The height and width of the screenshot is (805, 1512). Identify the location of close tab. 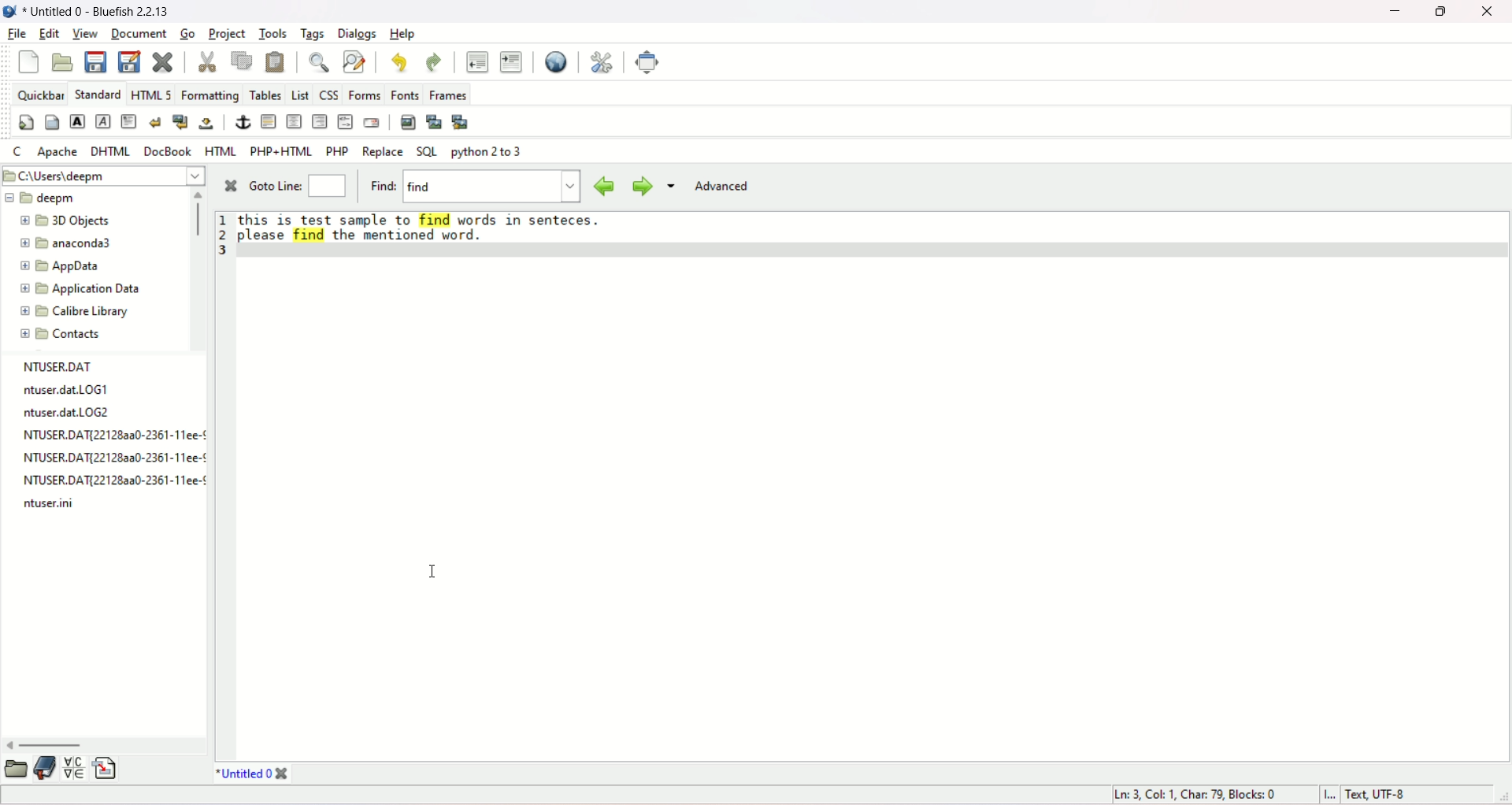
(283, 774).